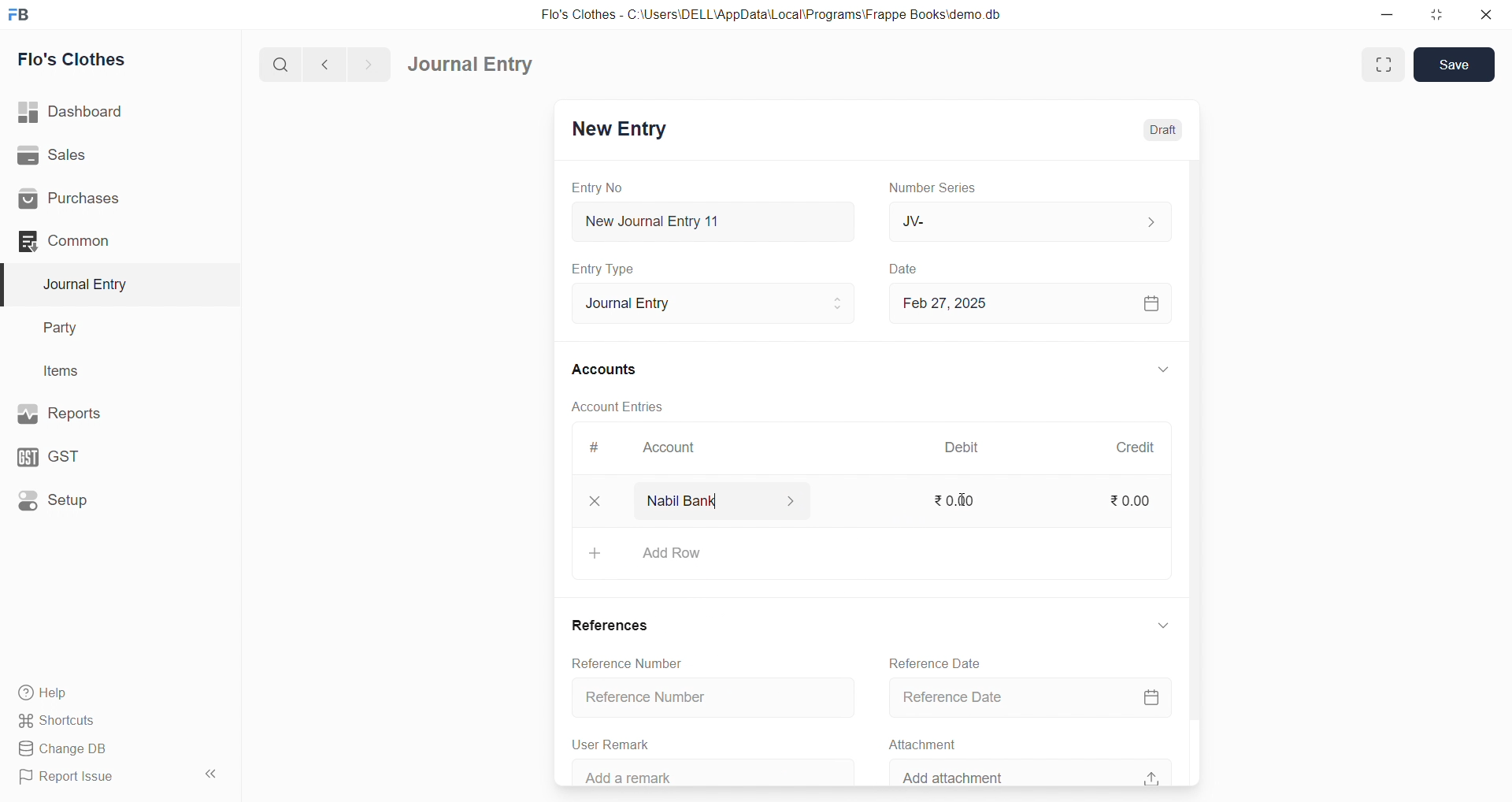 Image resolution: width=1512 pixels, height=802 pixels. What do you see at coordinates (1028, 697) in the screenshot?
I see `Reference Date` at bounding box center [1028, 697].